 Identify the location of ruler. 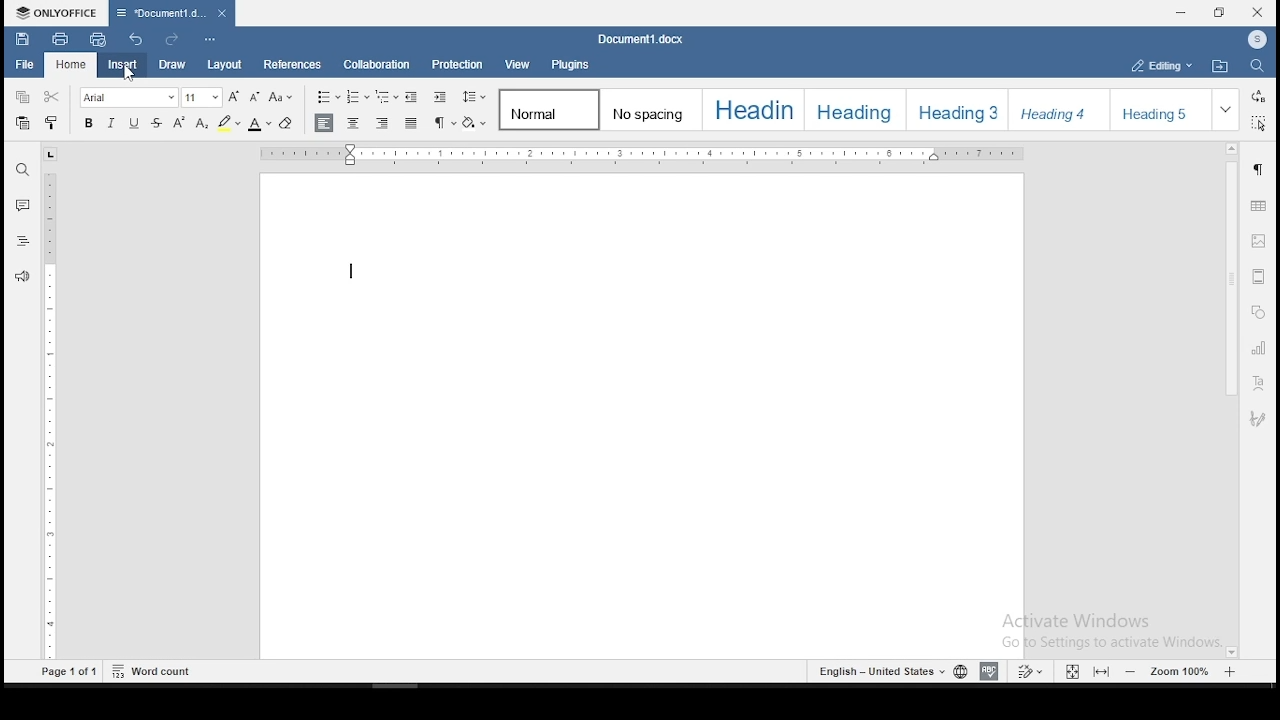
(53, 416).